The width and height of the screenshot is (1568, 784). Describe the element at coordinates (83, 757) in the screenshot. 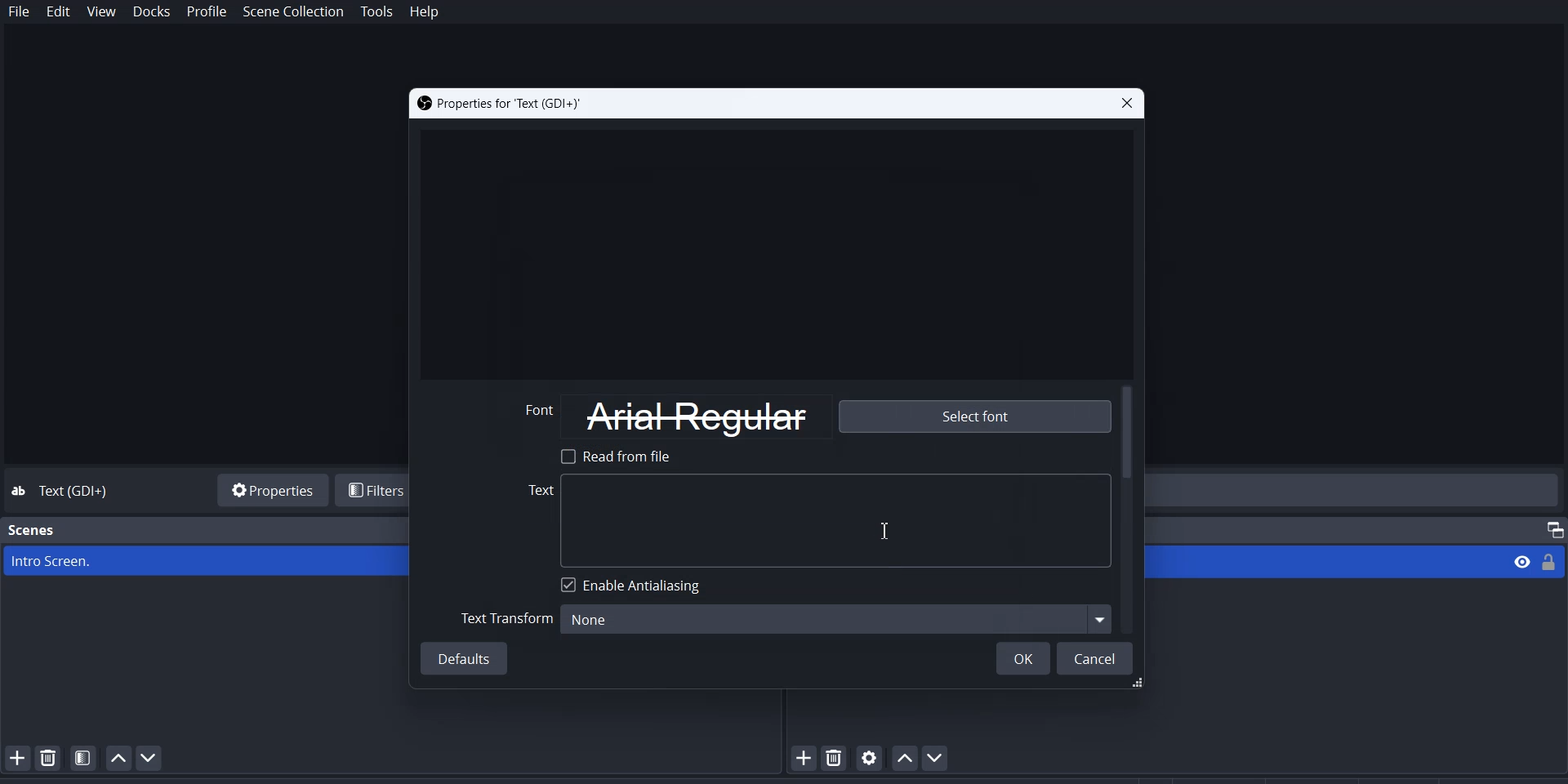

I see `Open Scene Filter` at that location.